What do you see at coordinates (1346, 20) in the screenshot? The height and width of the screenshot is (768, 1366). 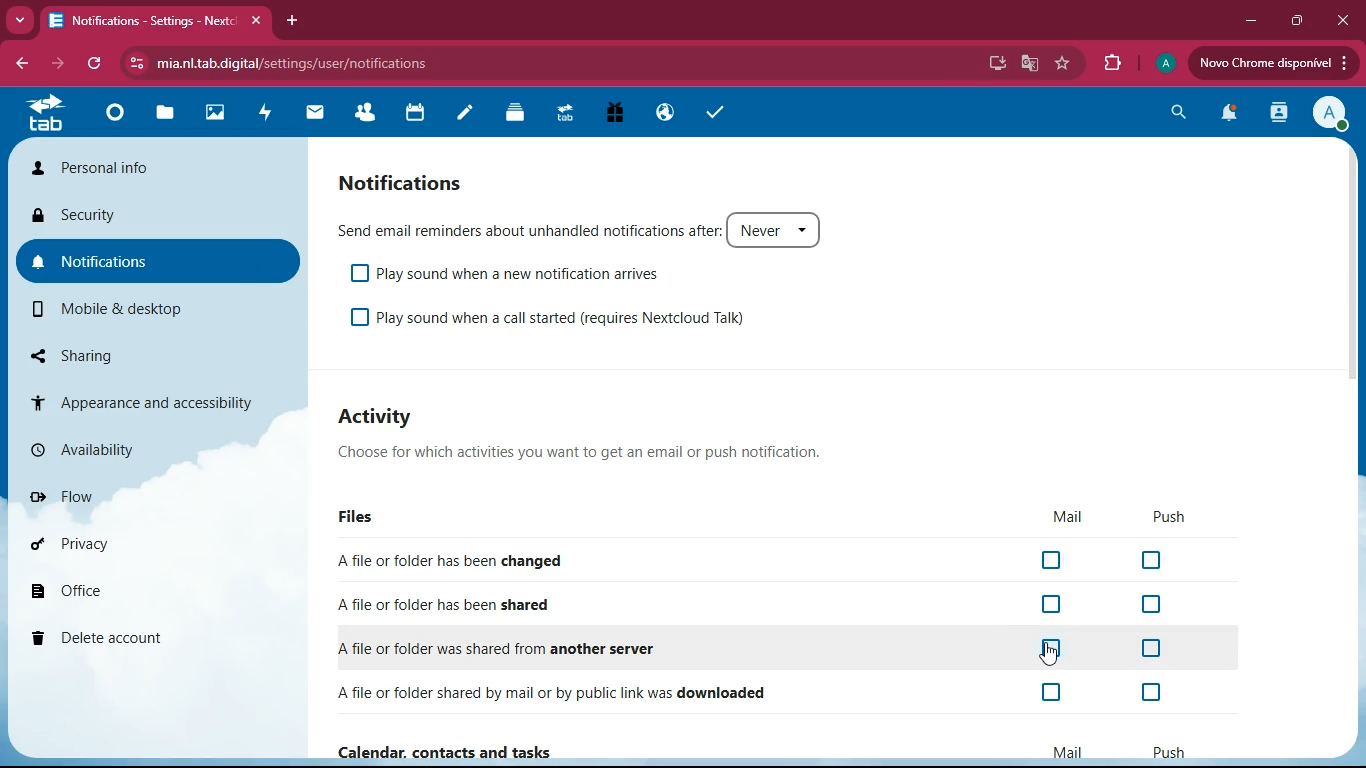 I see `close` at bounding box center [1346, 20].